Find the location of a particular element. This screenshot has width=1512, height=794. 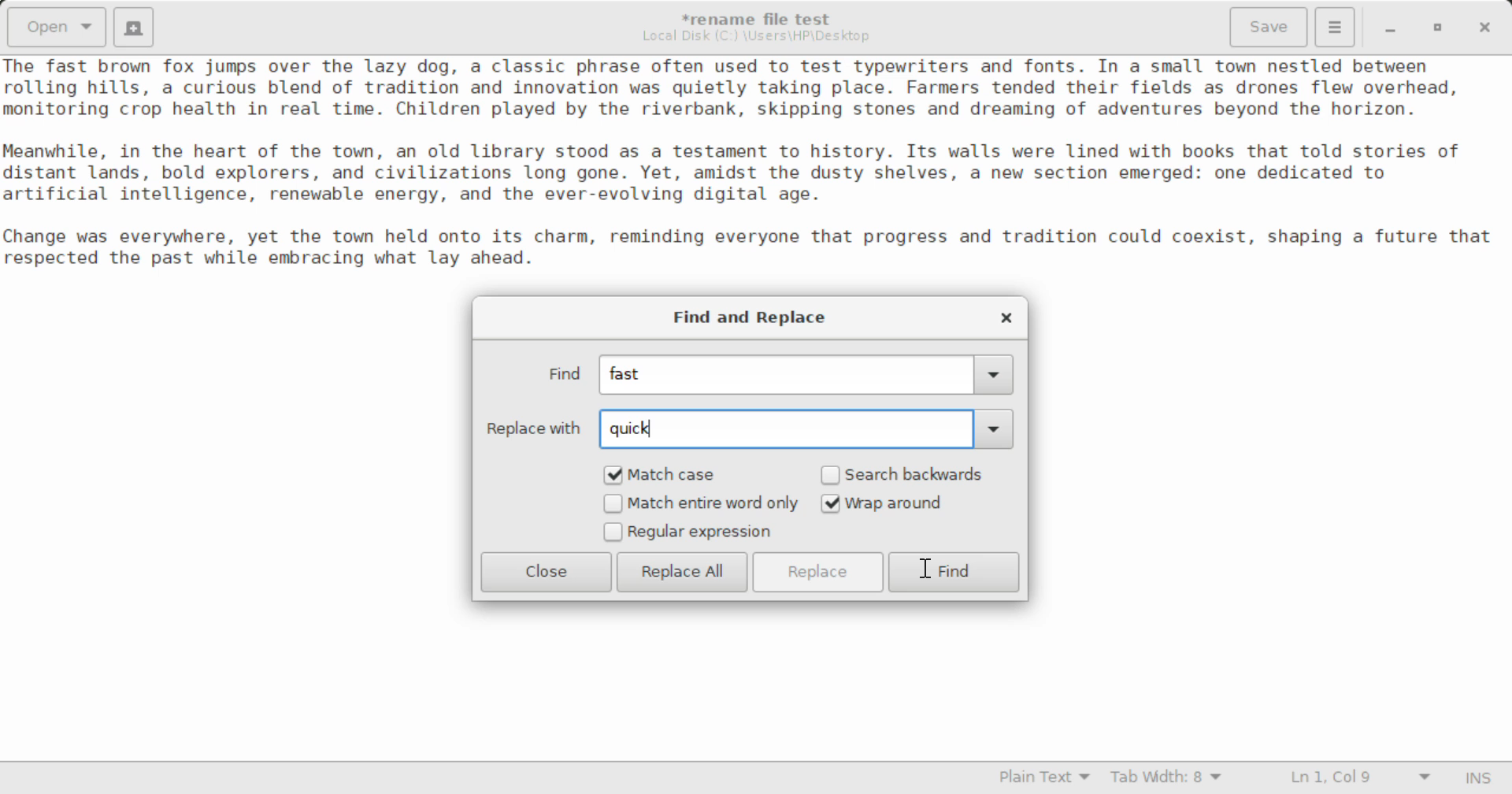

Find and Replace Window Heading is located at coordinates (751, 318).